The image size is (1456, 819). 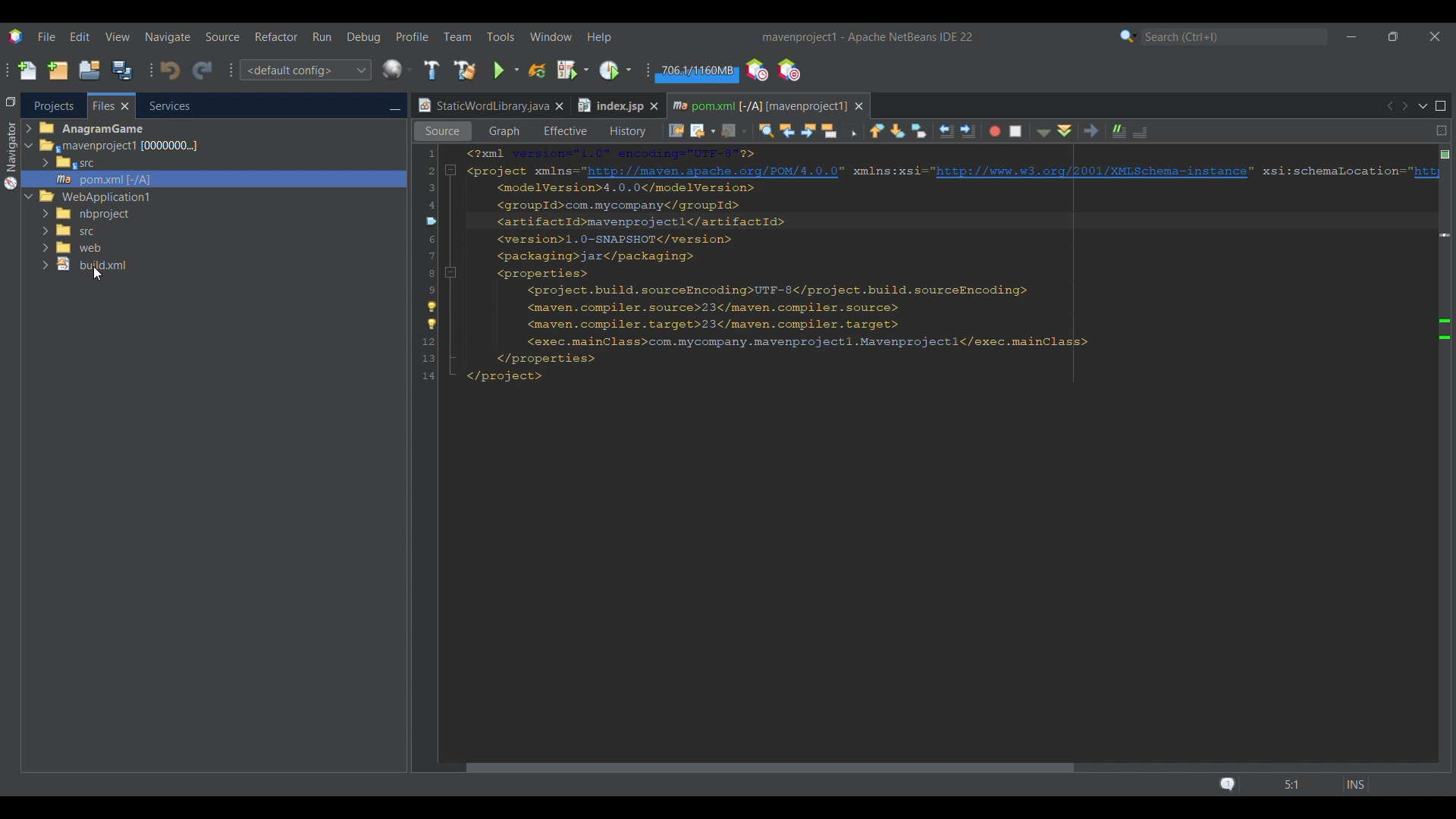 I want to click on Team menu, so click(x=457, y=36).